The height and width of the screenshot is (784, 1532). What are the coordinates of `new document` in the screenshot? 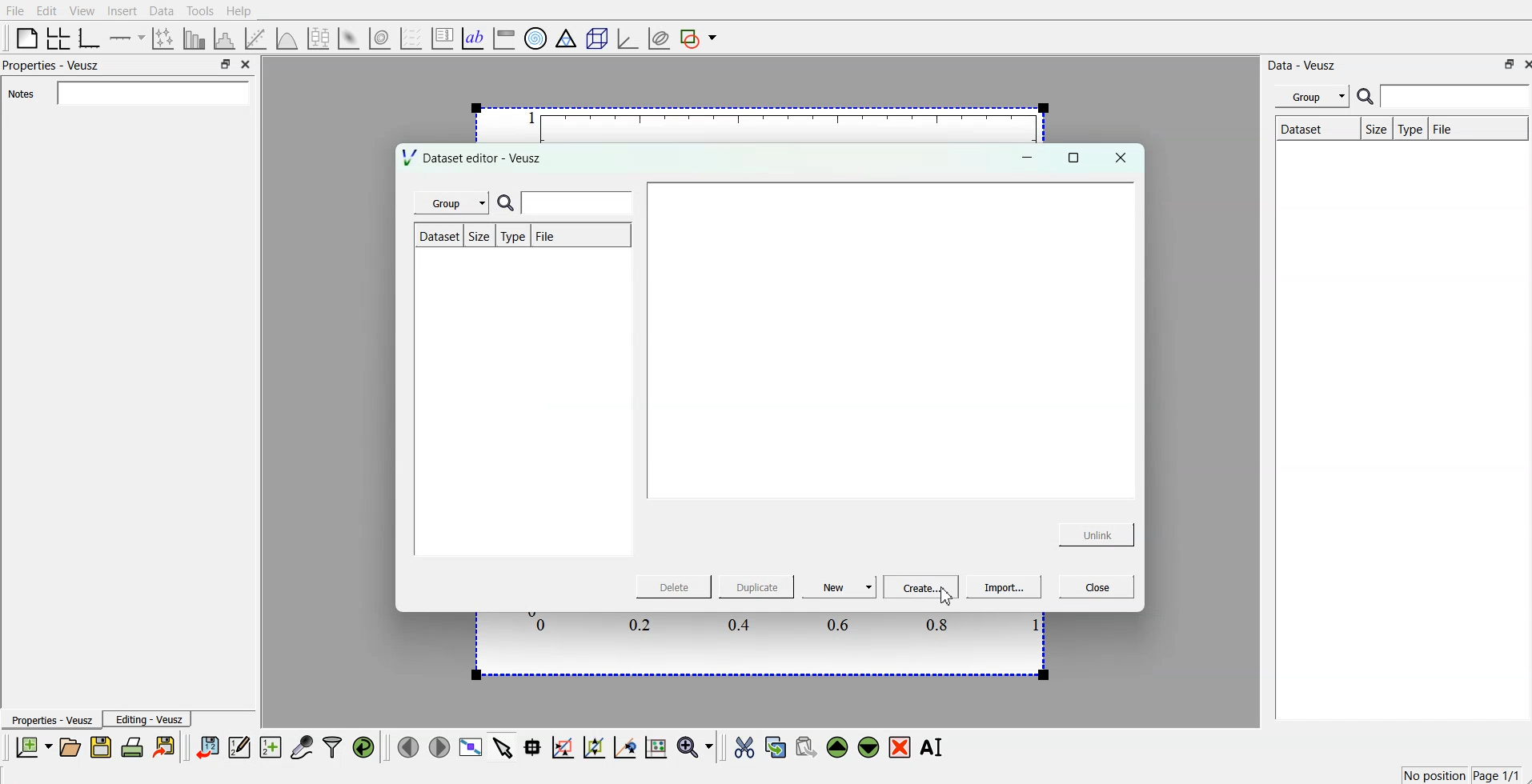 It's located at (35, 746).